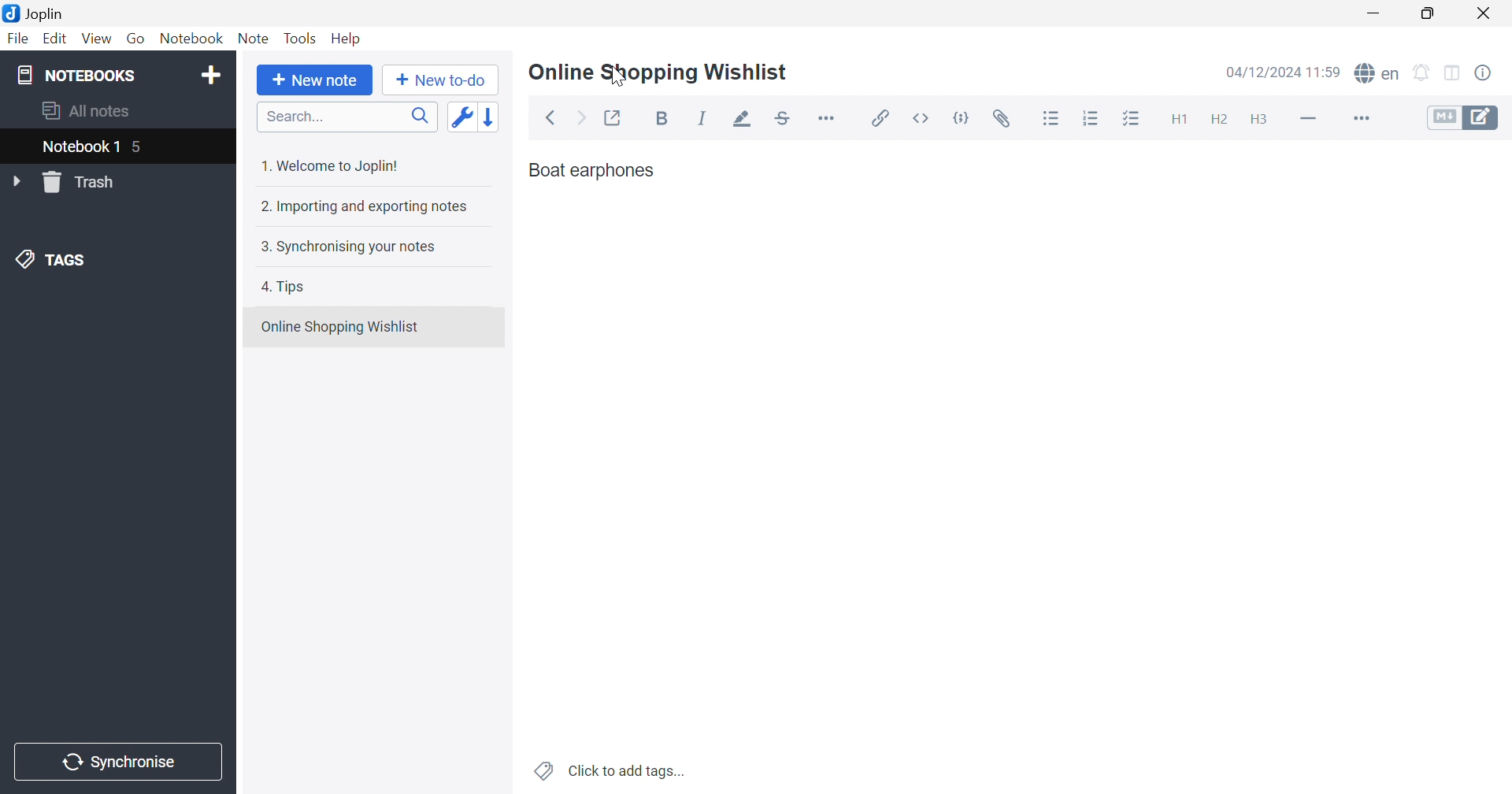 This screenshot has width=1512, height=794. I want to click on Notebook 1, so click(93, 146).